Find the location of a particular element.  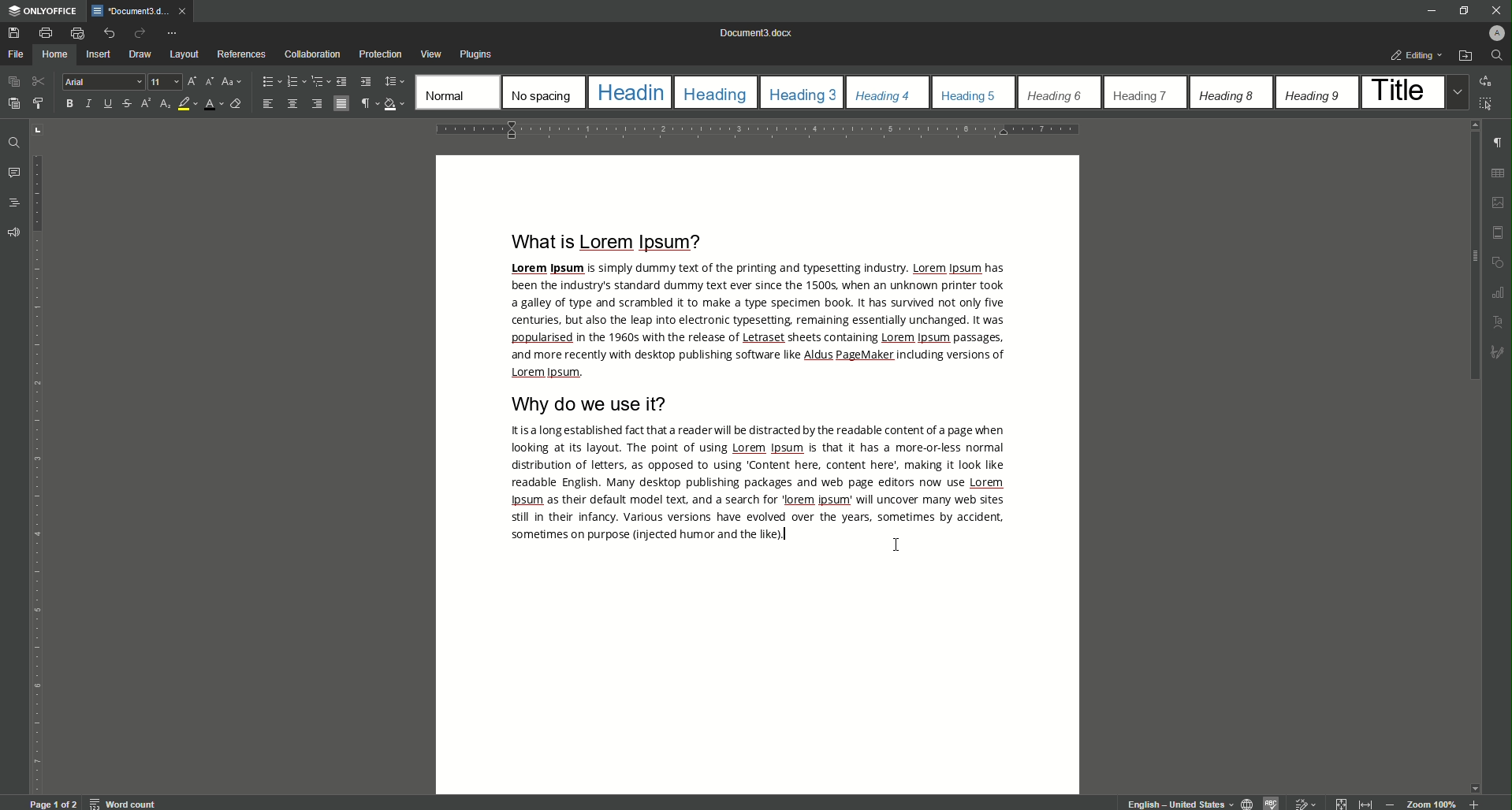

globe is located at coordinates (1246, 802).